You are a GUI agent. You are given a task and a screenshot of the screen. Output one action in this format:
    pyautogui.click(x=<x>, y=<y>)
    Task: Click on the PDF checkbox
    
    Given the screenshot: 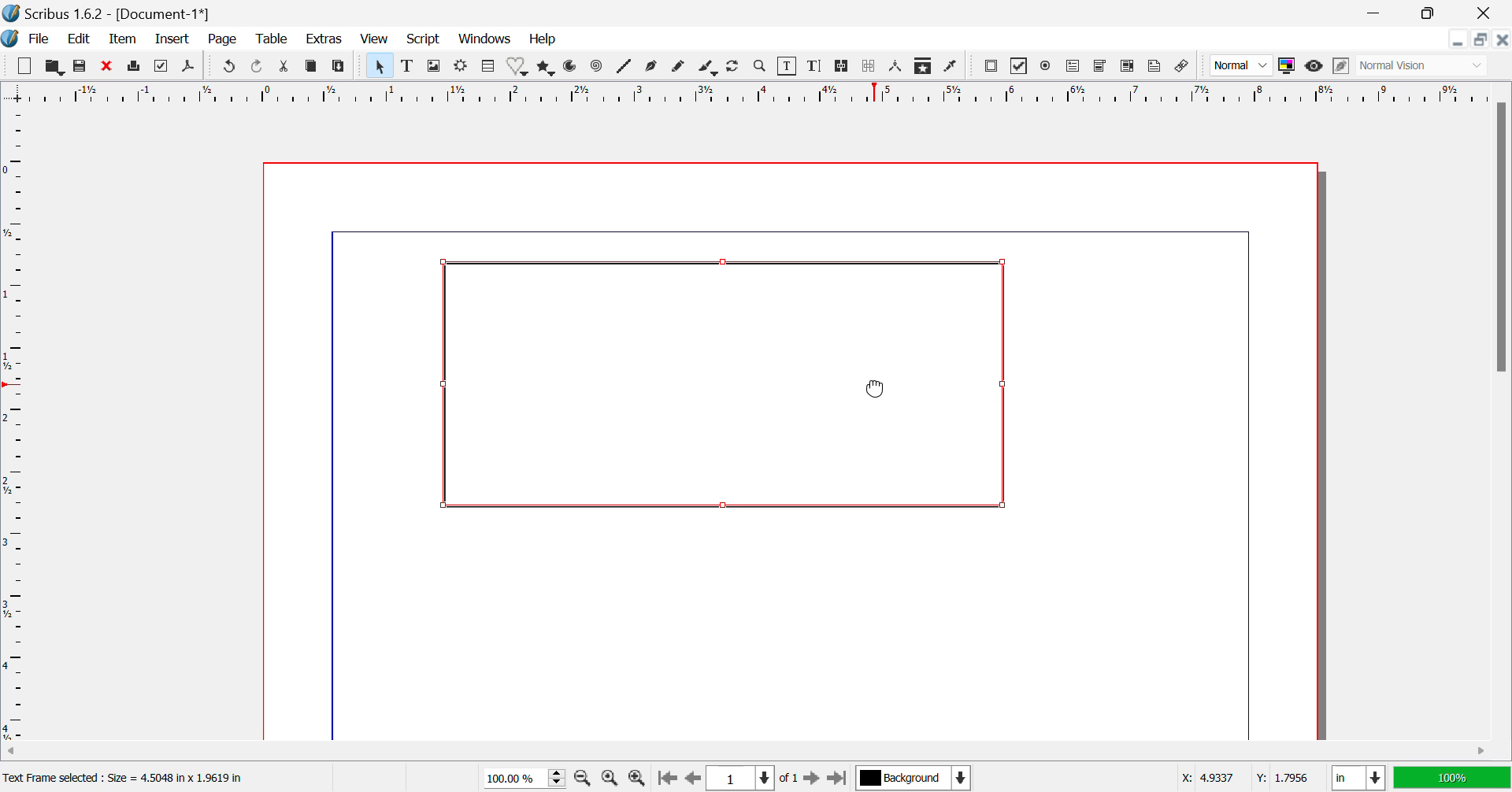 What is the action you would take?
    pyautogui.click(x=1020, y=65)
    